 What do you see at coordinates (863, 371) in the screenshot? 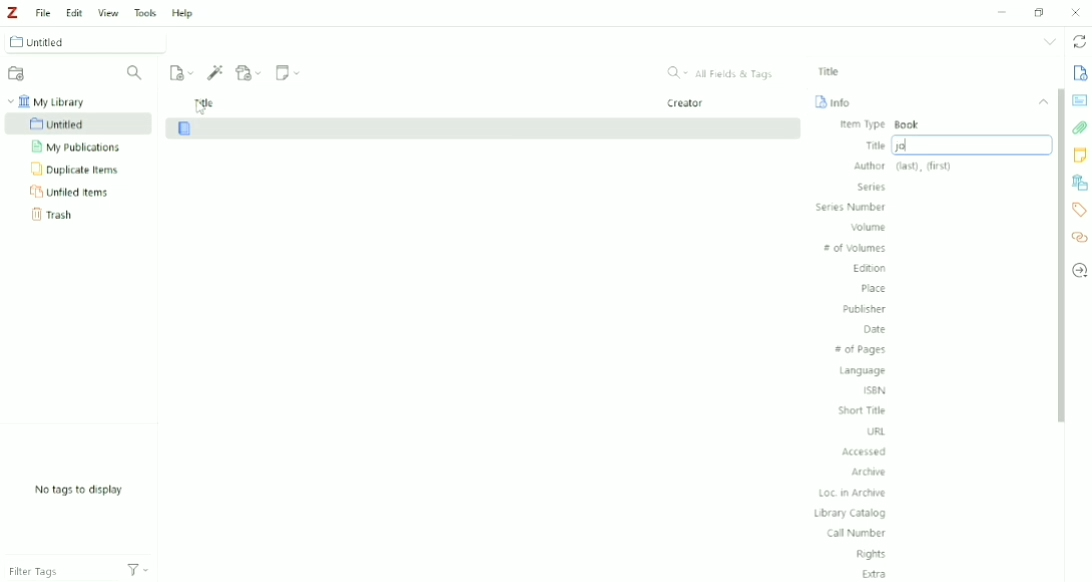
I see `Language` at bounding box center [863, 371].